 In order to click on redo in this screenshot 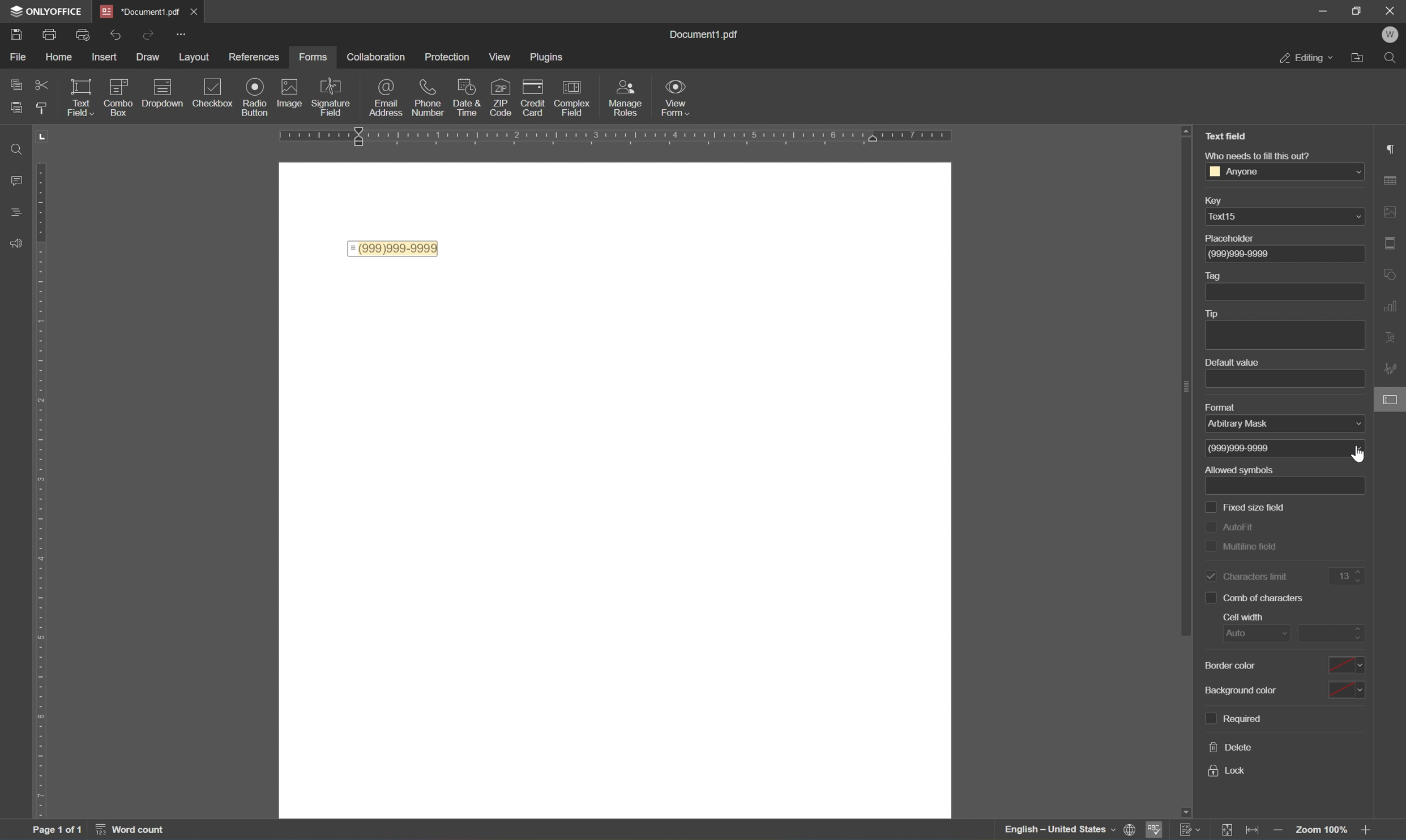, I will do `click(149, 35)`.